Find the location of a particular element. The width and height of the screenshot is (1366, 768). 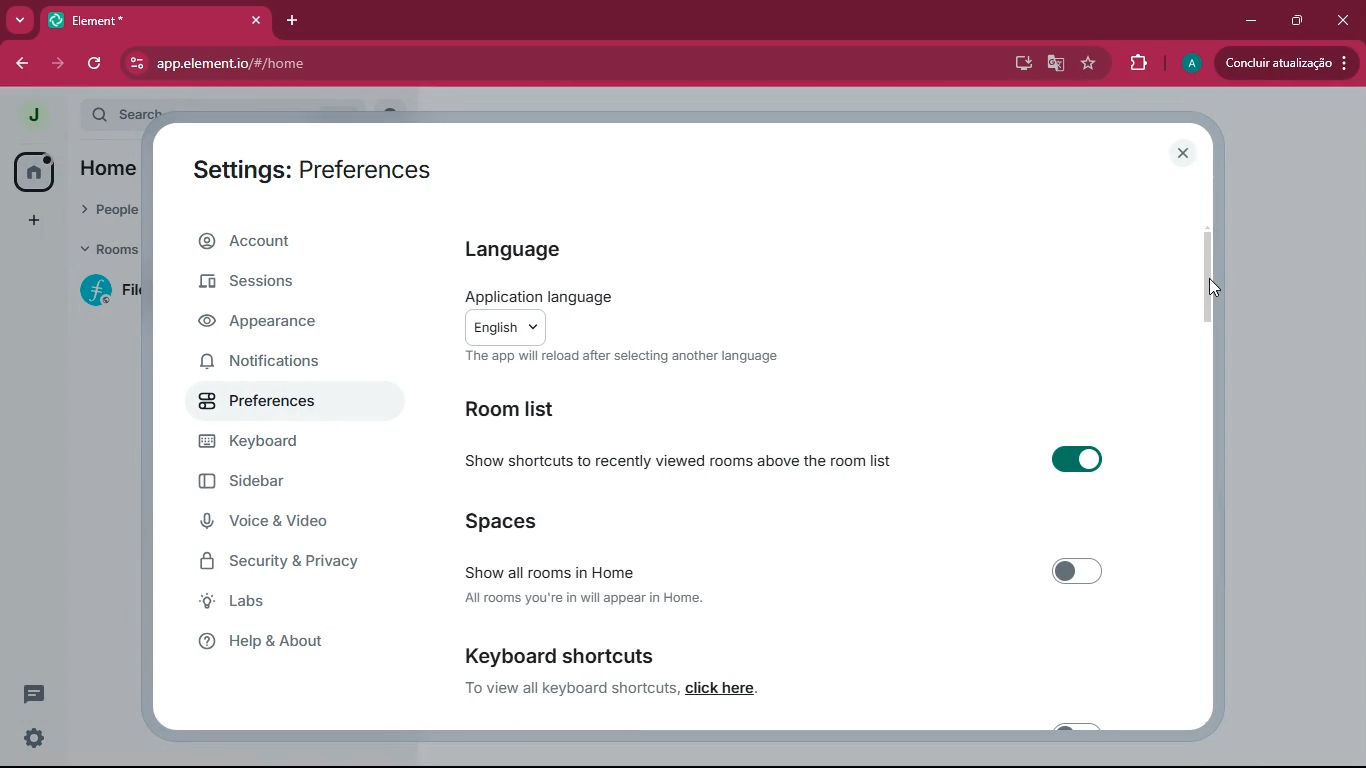

account is located at coordinates (300, 239).